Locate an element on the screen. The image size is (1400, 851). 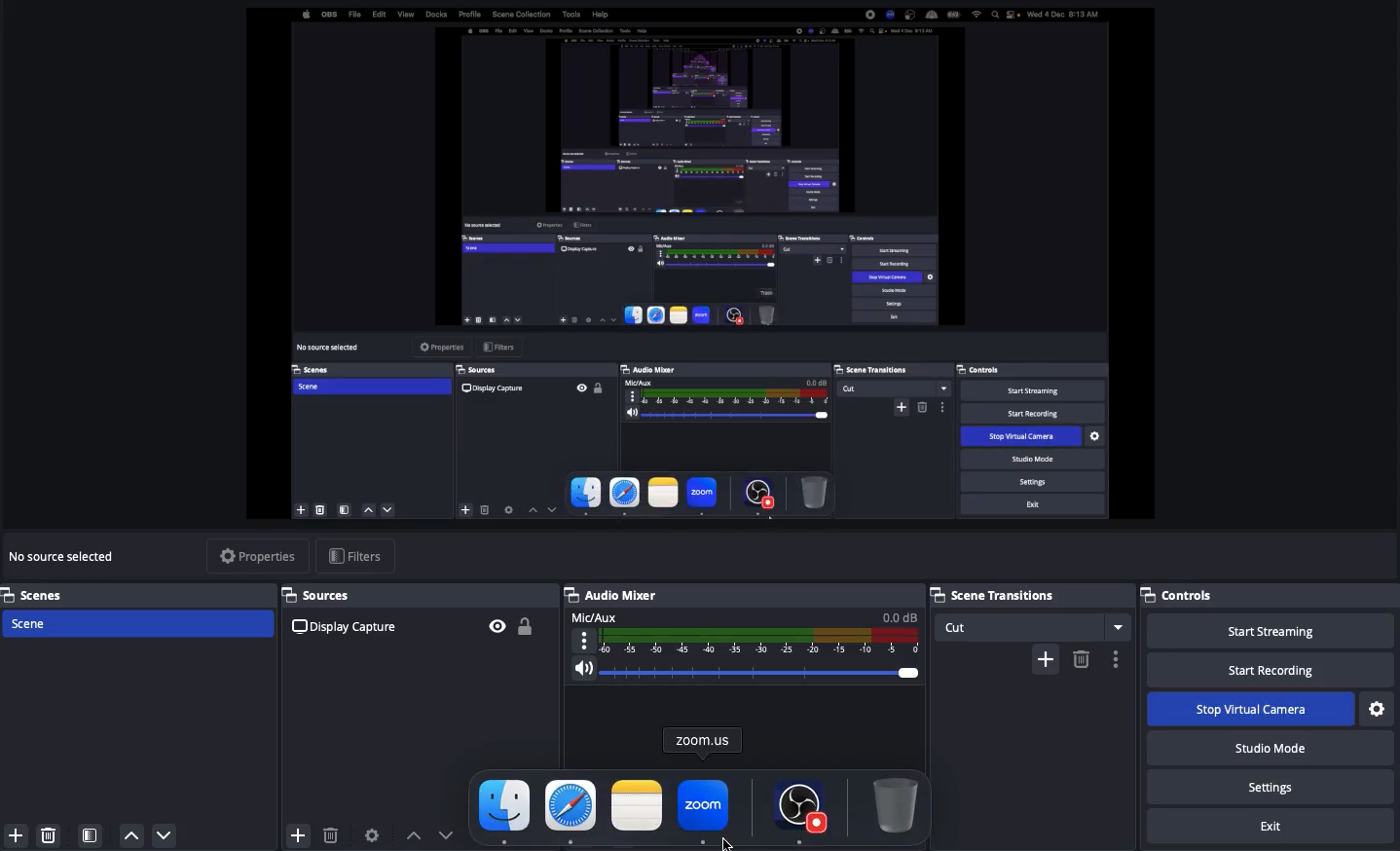
Exit is located at coordinates (1266, 825).